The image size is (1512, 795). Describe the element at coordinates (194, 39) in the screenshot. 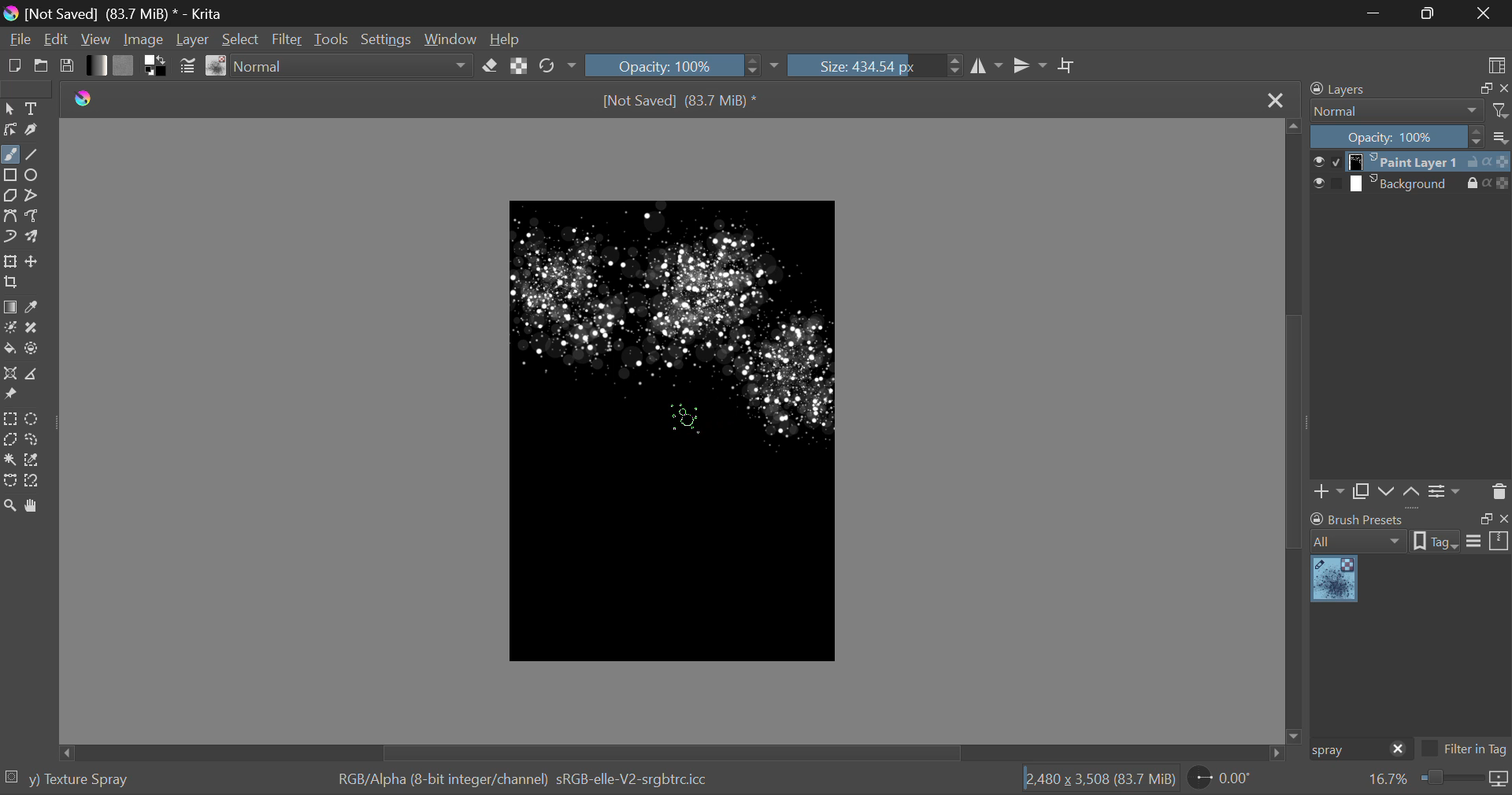

I see `Layer` at that location.